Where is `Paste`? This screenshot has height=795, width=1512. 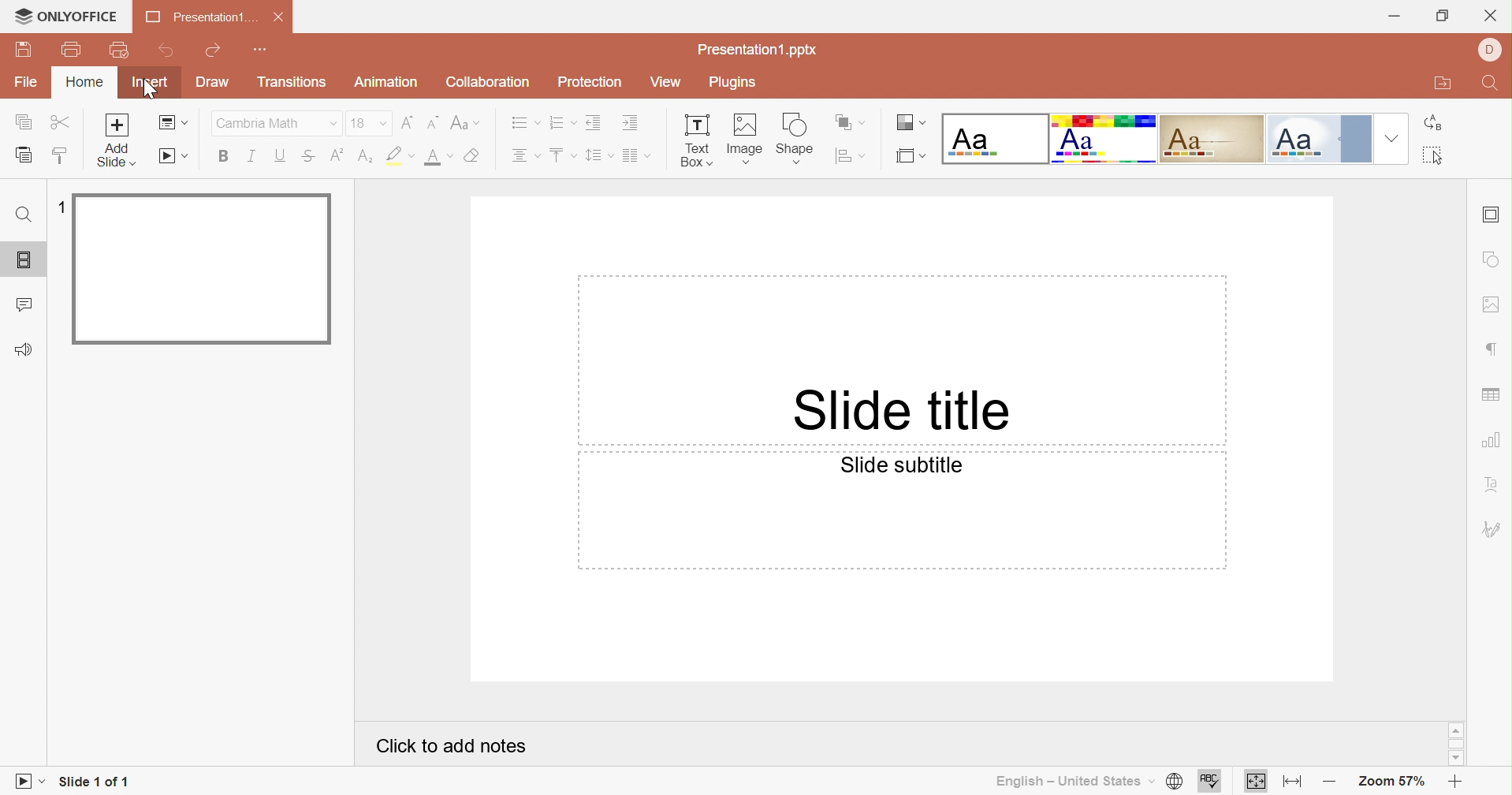
Paste is located at coordinates (23, 154).